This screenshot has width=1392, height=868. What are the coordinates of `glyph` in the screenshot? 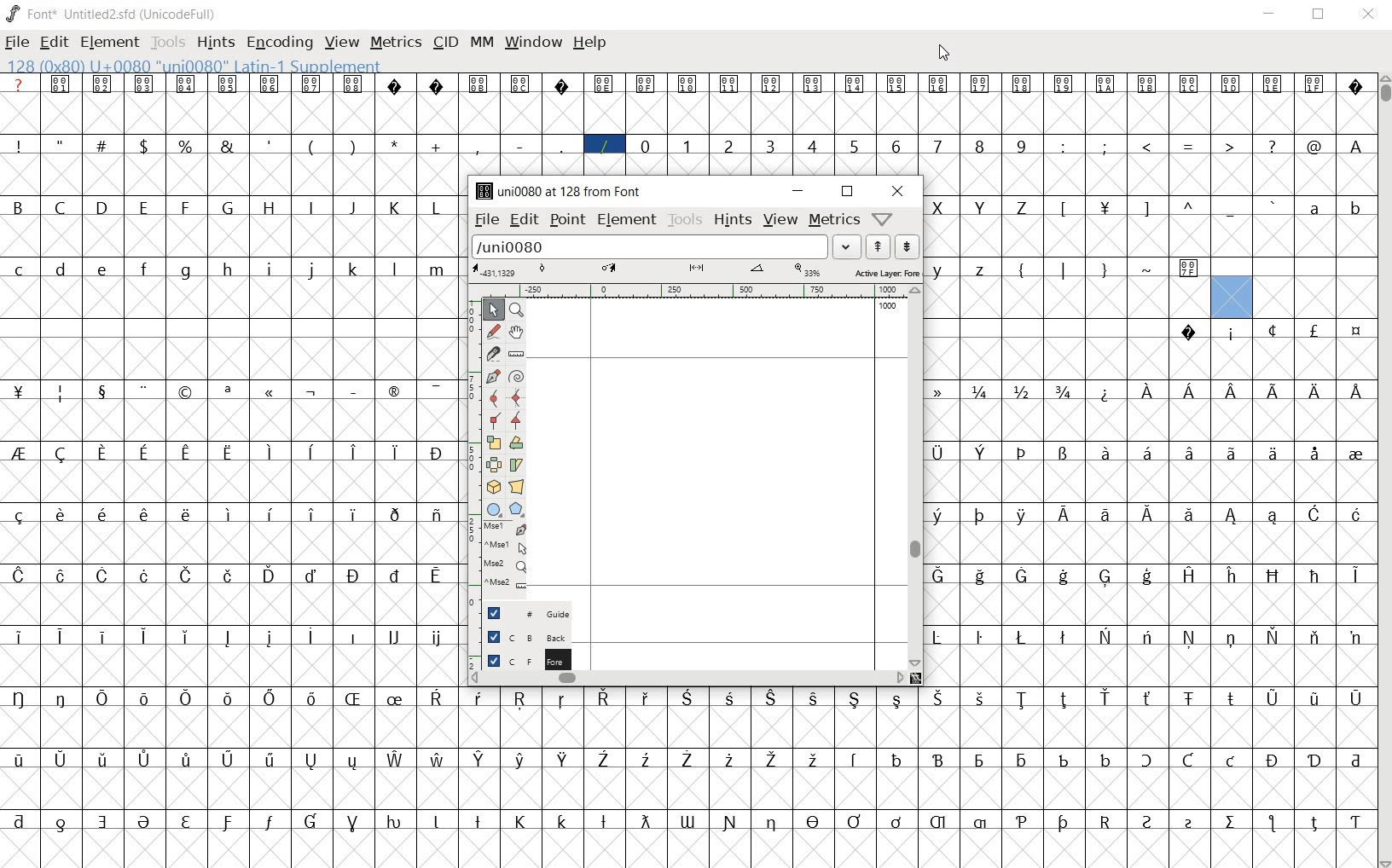 It's located at (143, 637).